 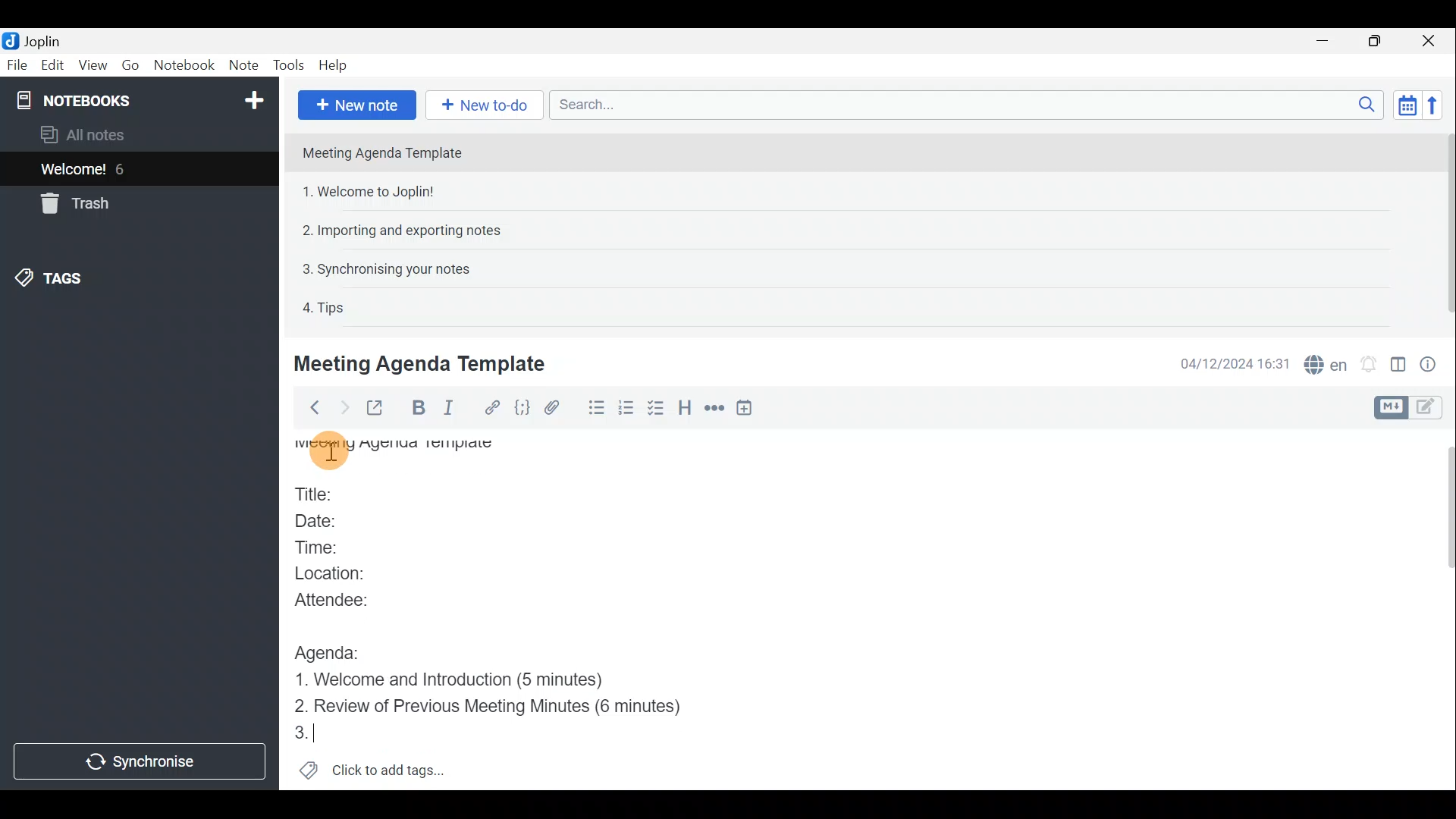 What do you see at coordinates (72, 203) in the screenshot?
I see `Trash` at bounding box center [72, 203].